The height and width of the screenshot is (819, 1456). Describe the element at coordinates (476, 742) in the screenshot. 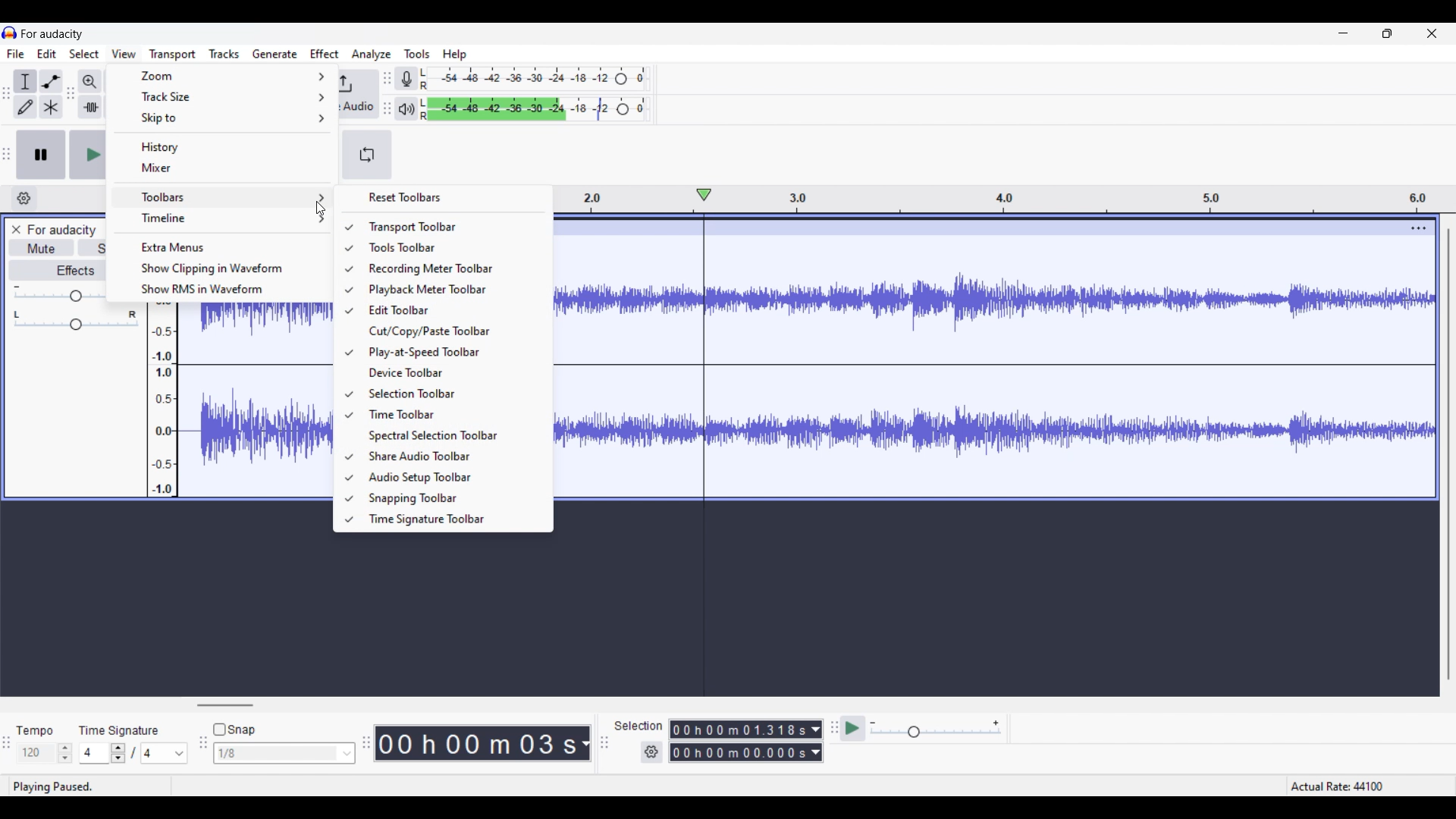

I see `Duration` at that location.